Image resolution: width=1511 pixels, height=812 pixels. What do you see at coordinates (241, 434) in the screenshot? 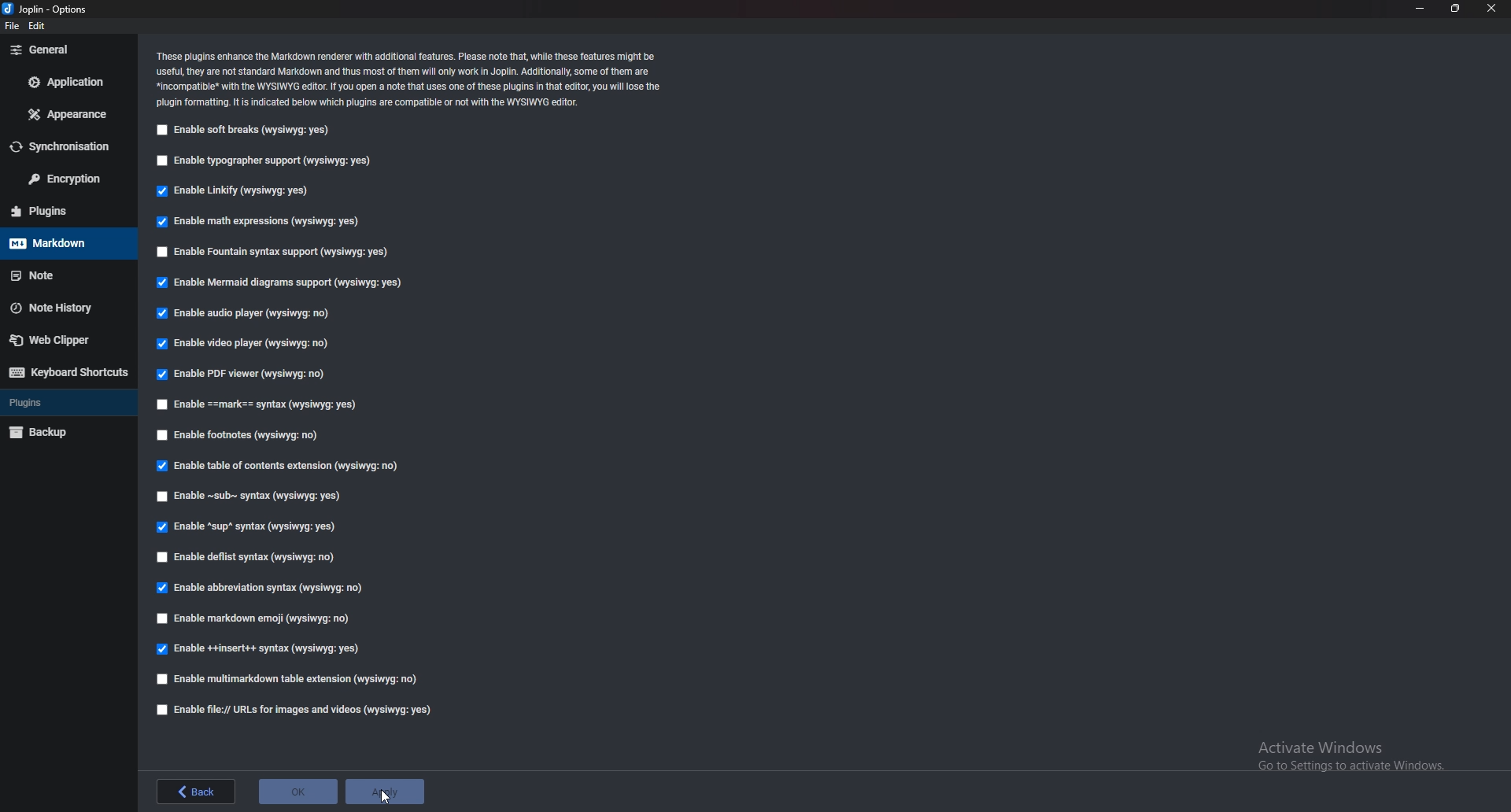
I see `Enable footnotes` at bounding box center [241, 434].